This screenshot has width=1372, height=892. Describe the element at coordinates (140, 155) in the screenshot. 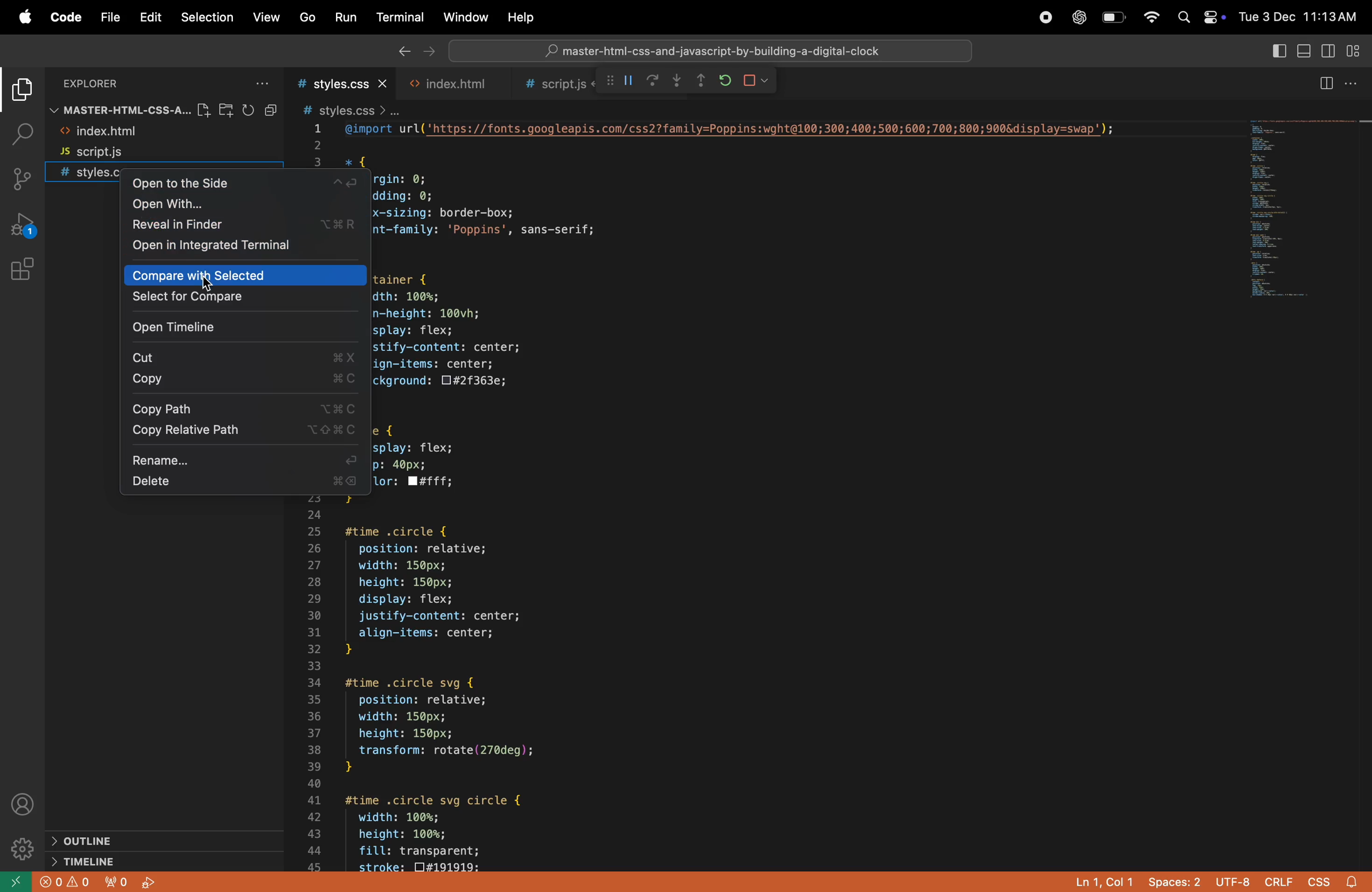

I see `script.js file` at that location.